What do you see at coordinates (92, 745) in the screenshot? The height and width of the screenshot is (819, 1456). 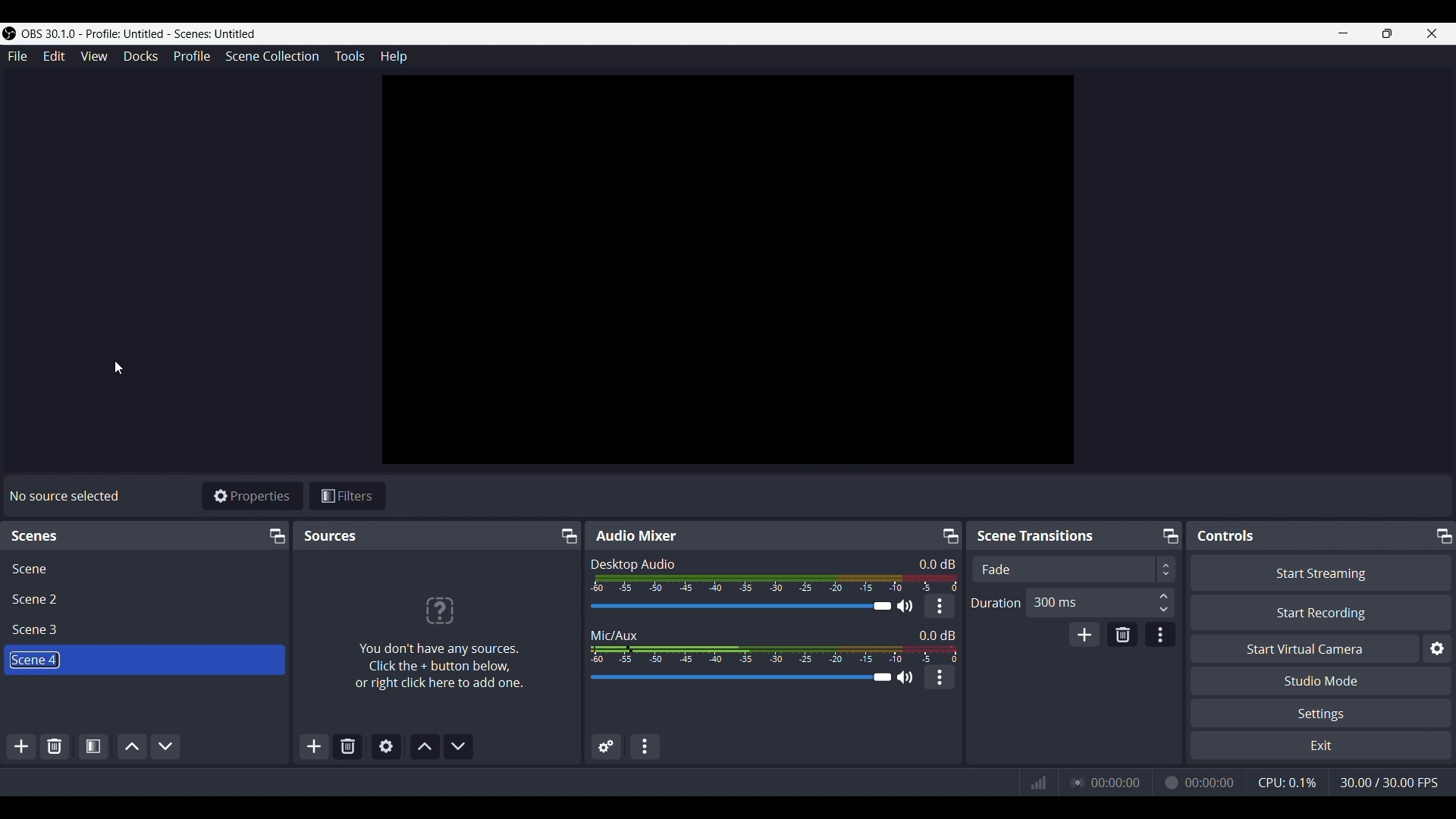 I see `Open scene filters` at bounding box center [92, 745].